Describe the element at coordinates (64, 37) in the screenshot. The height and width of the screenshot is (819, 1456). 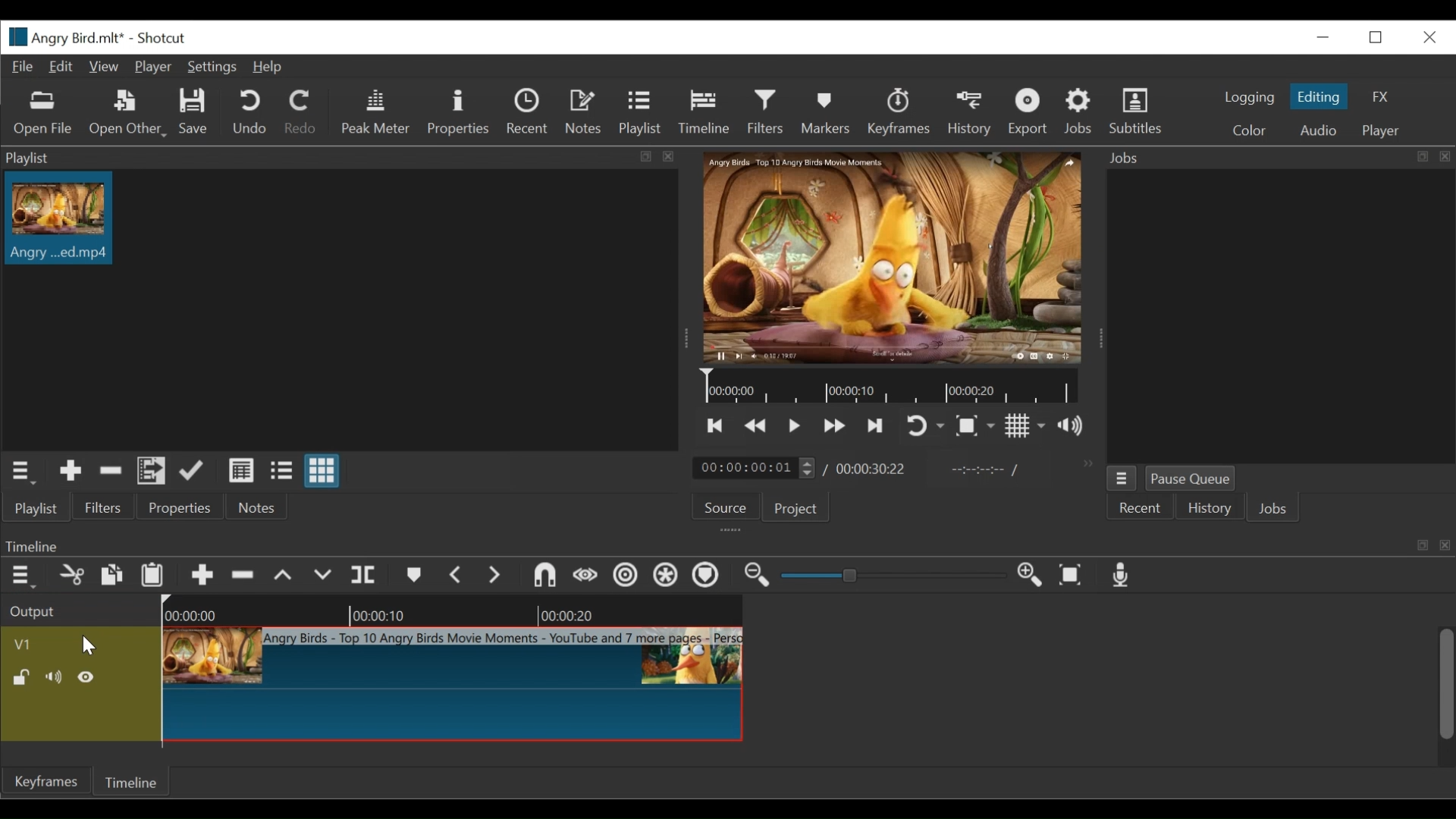
I see `File Name` at that location.